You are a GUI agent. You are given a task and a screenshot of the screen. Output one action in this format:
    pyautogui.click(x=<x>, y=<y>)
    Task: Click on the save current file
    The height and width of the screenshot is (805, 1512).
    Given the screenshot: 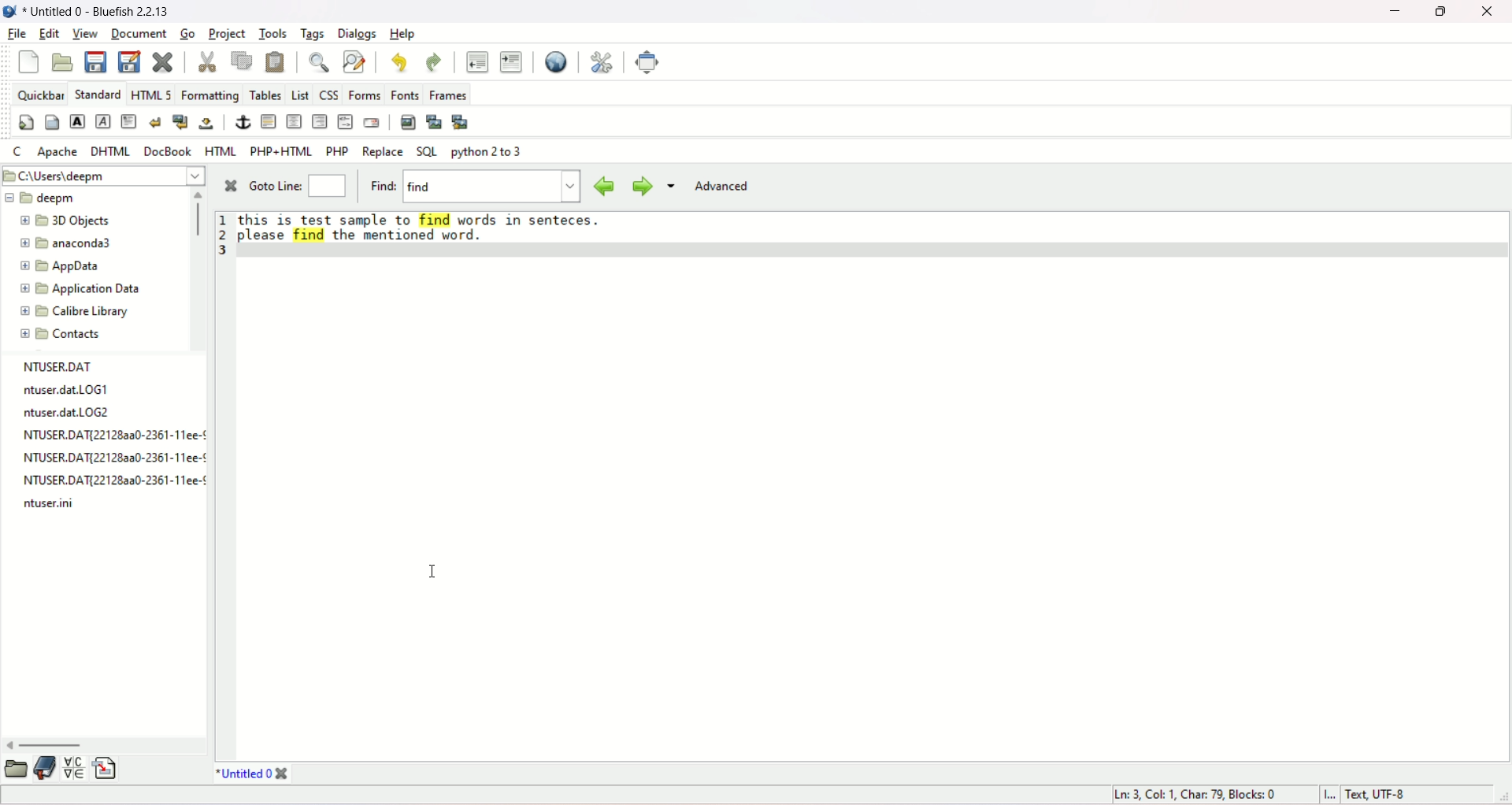 What is the action you would take?
    pyautogui.click(x=94, y=60)
    